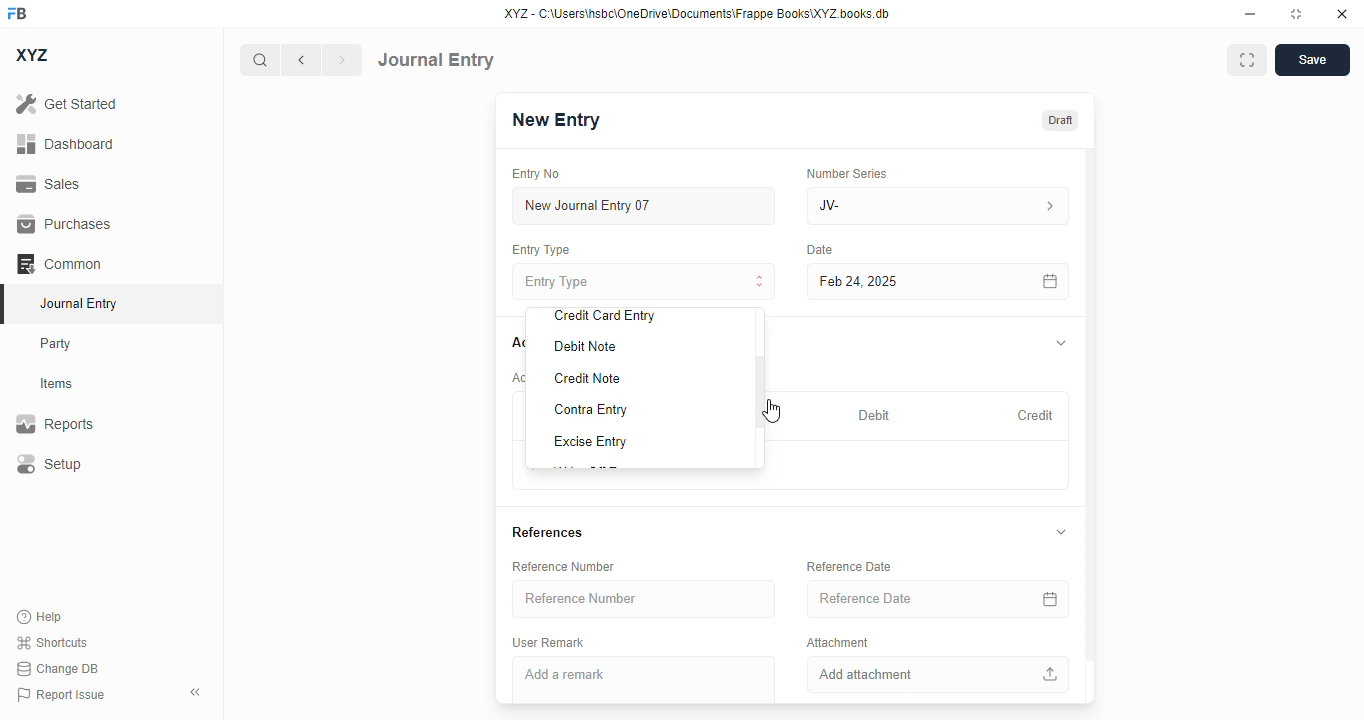  Describe the element at coordinates (557, 119) in the screenshot. I see `new entry` at that location.